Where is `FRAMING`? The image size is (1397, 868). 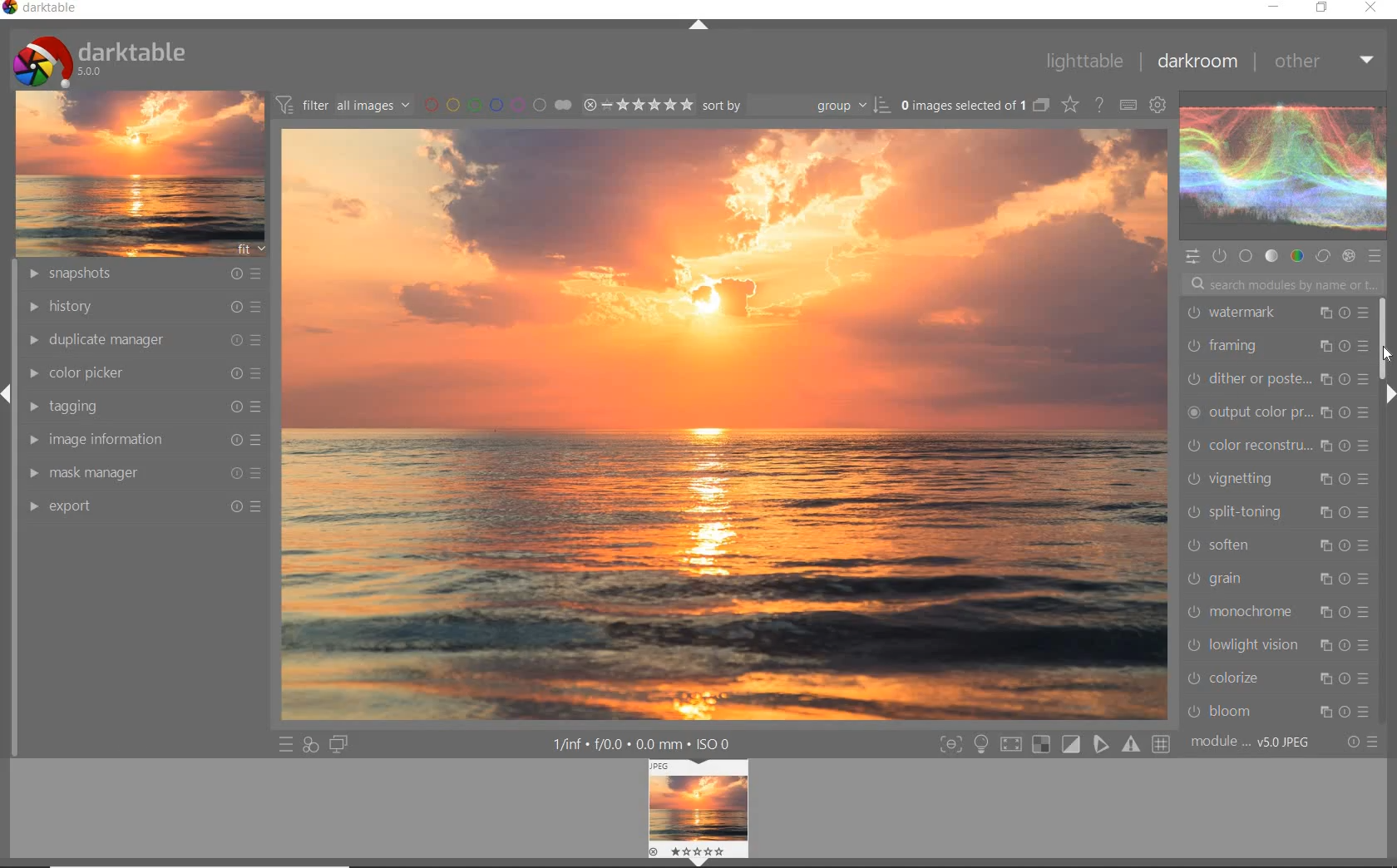 FRAMING is located at coordinates (1277, 344).